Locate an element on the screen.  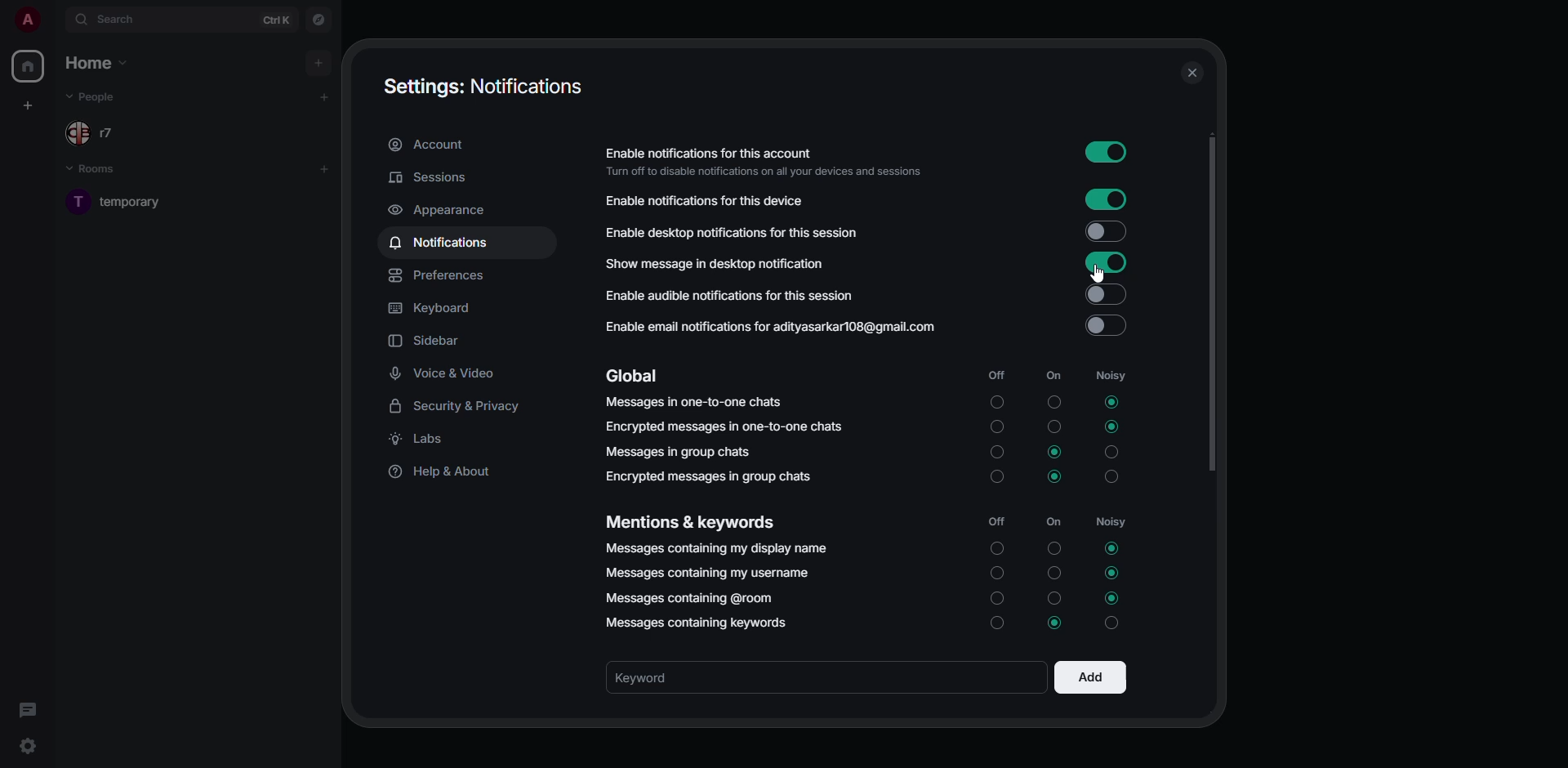
add is located at coordinates (318, 62).